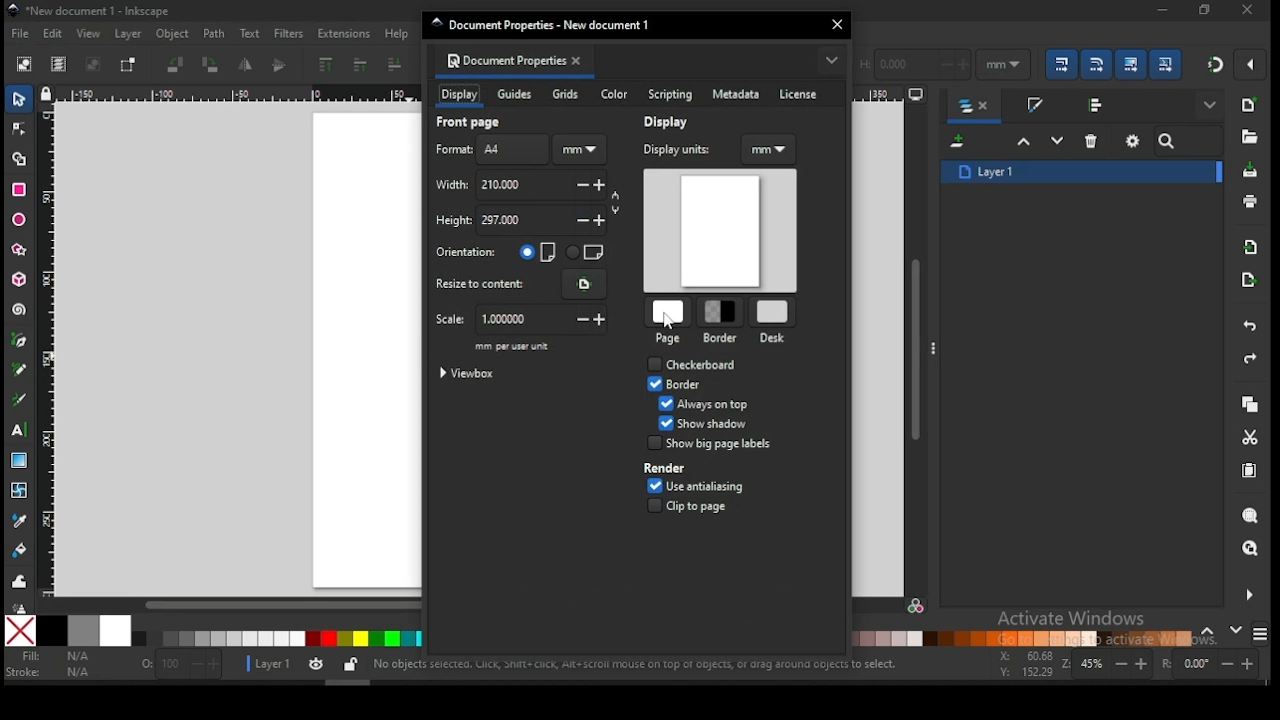 The image size is (1280, 720). Describe the element at coordinates (522, 252) in the screenshot. I see `page orientation: vertical/horizontal` at that location.